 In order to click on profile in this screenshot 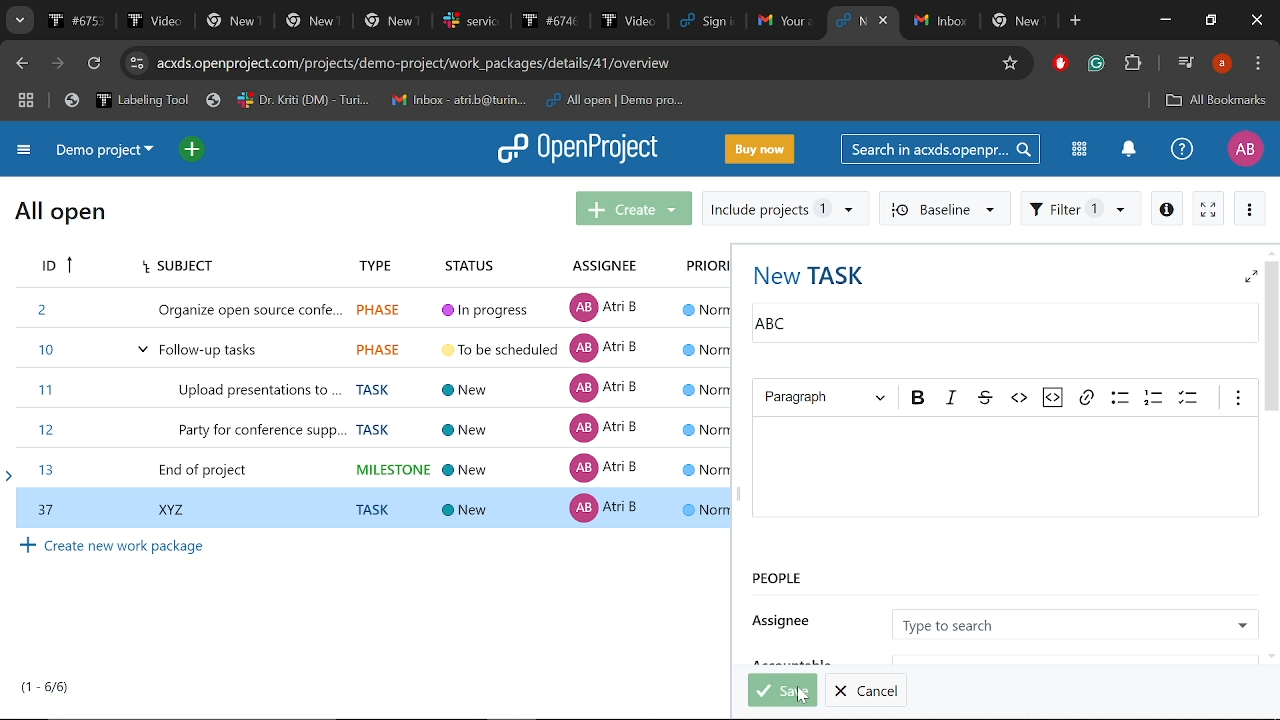, I will do `click(1222, 63)`.